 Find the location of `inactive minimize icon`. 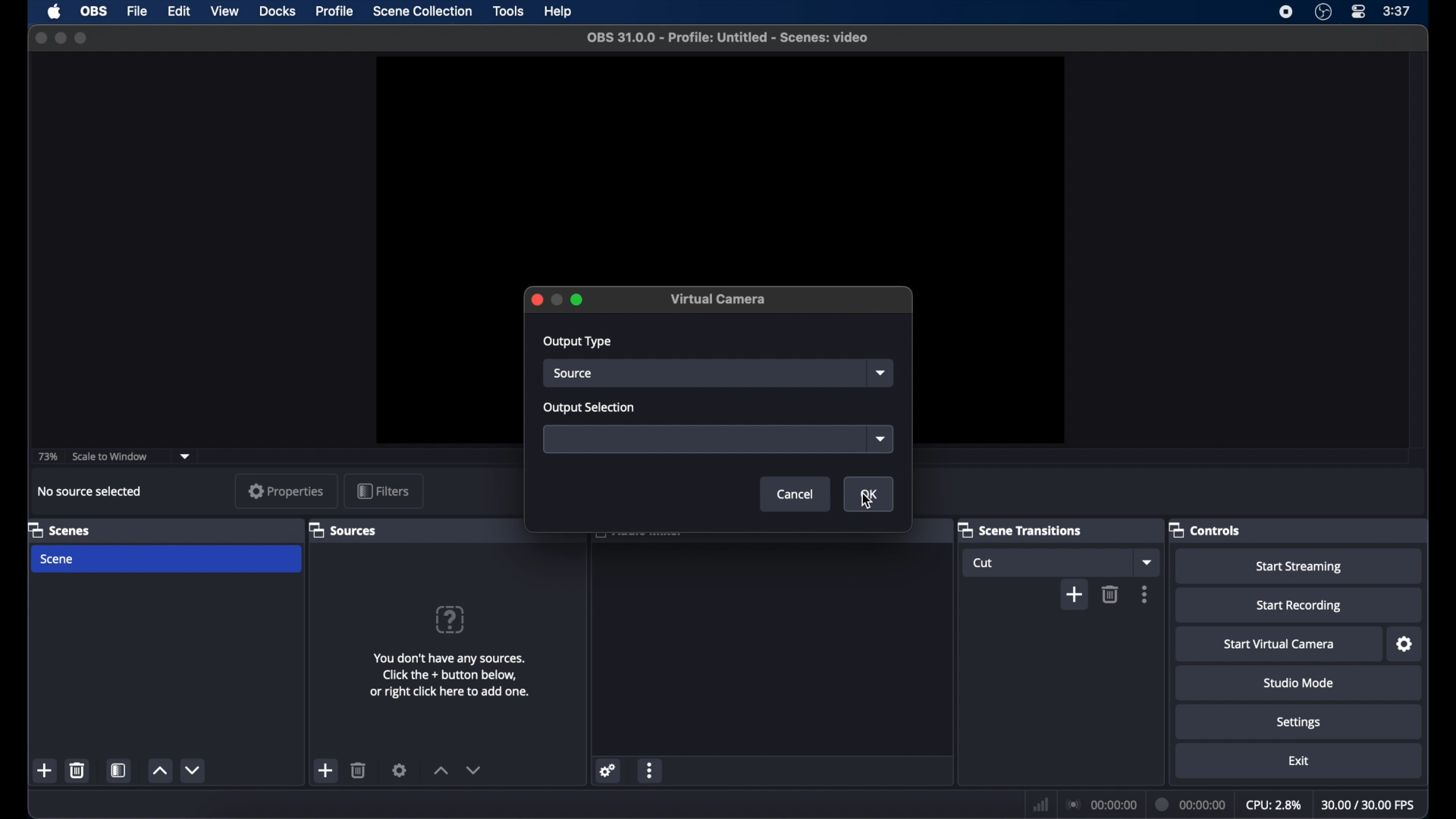

inactive minimize icon is located at coordinates (557, 300).